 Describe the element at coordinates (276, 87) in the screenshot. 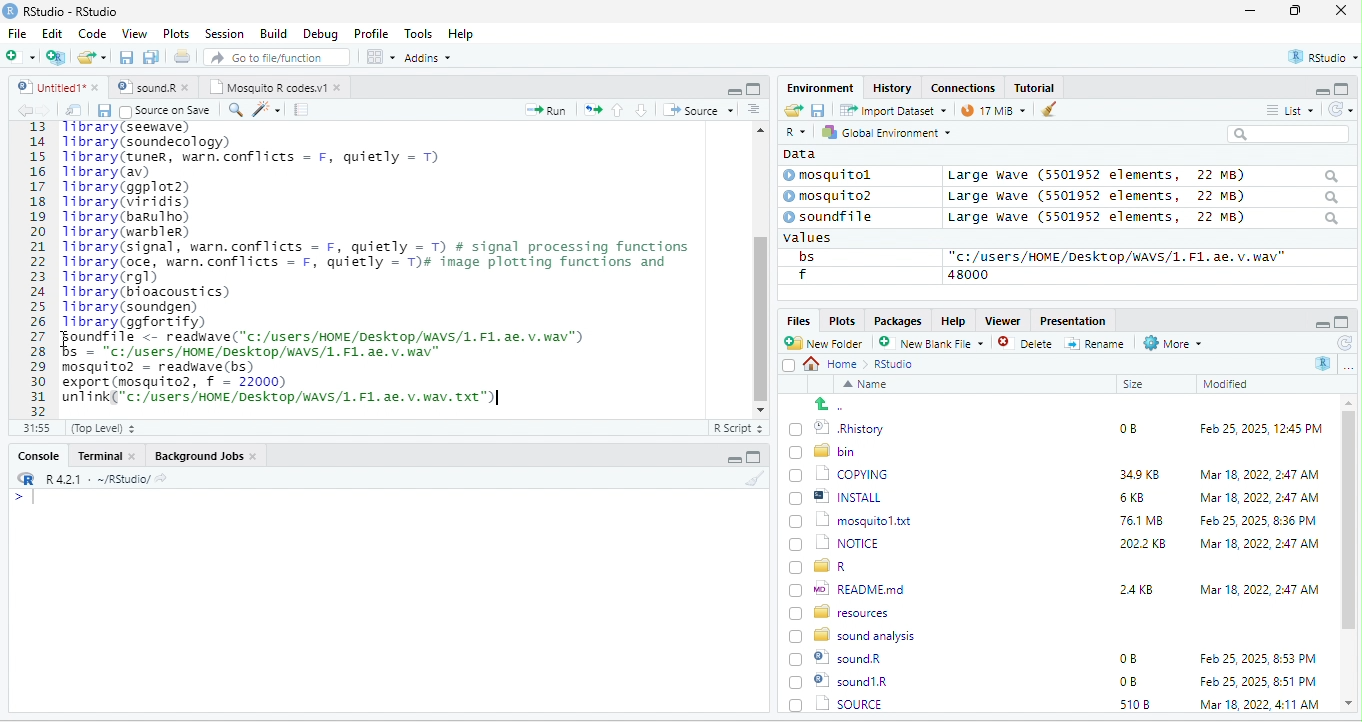

I see `Mosquito R codes.v1` at that location.